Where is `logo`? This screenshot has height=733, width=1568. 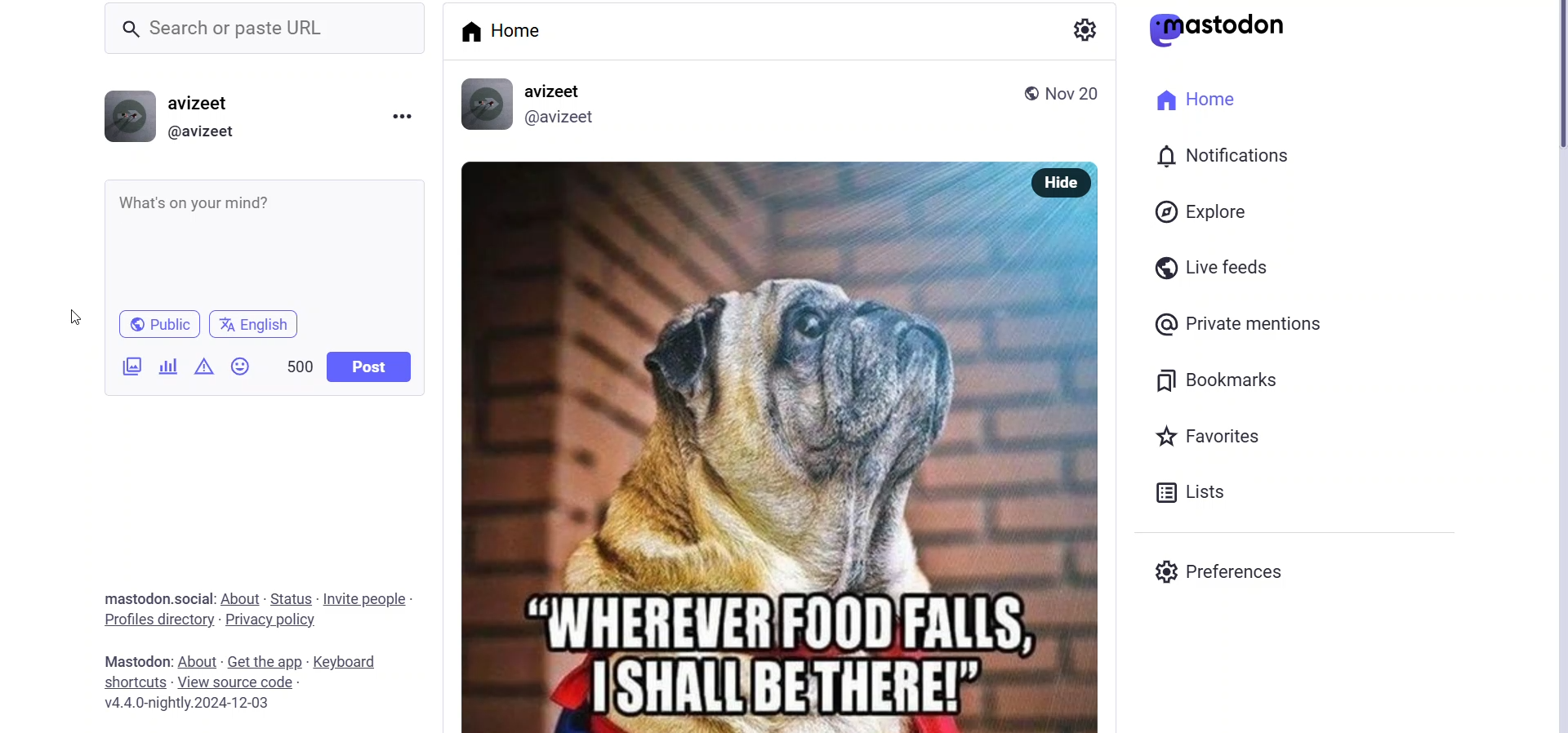 logo is located at coordinates (1223, 29).